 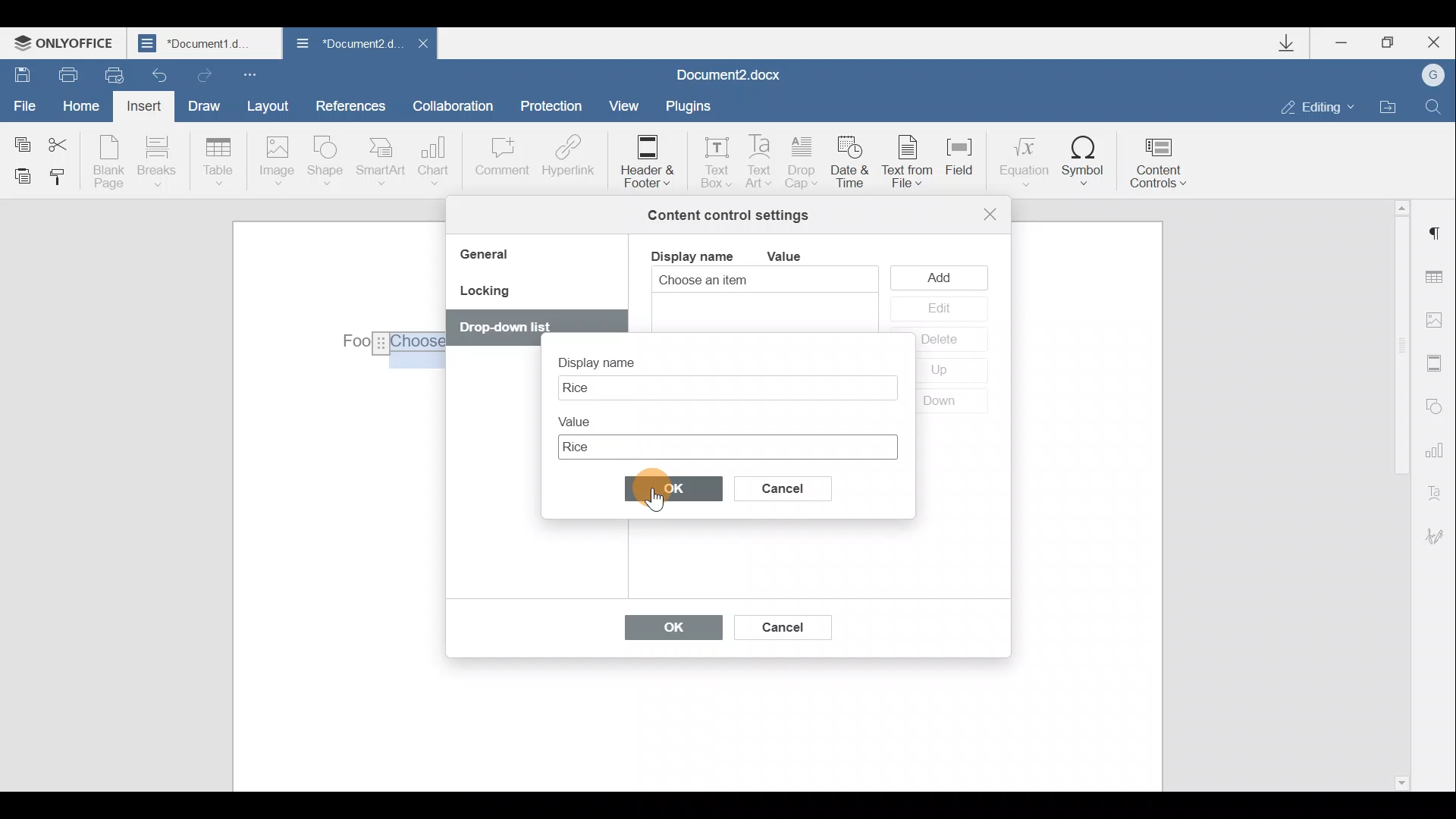 I want to click on Paragraph settings, so click(x=1436, y=234).